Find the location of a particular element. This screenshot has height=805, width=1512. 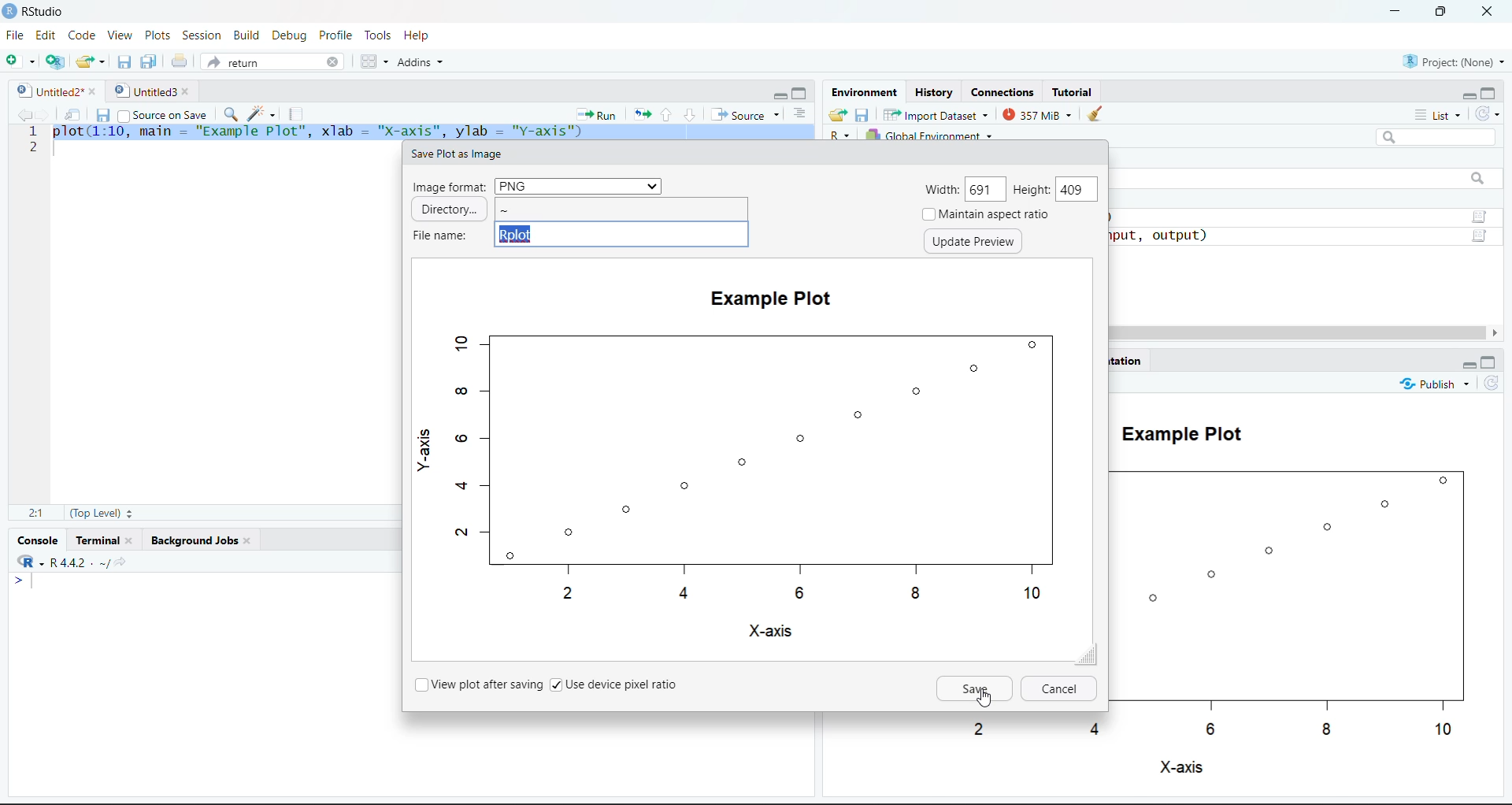

Update Preview is located at coordinates (973, 242).